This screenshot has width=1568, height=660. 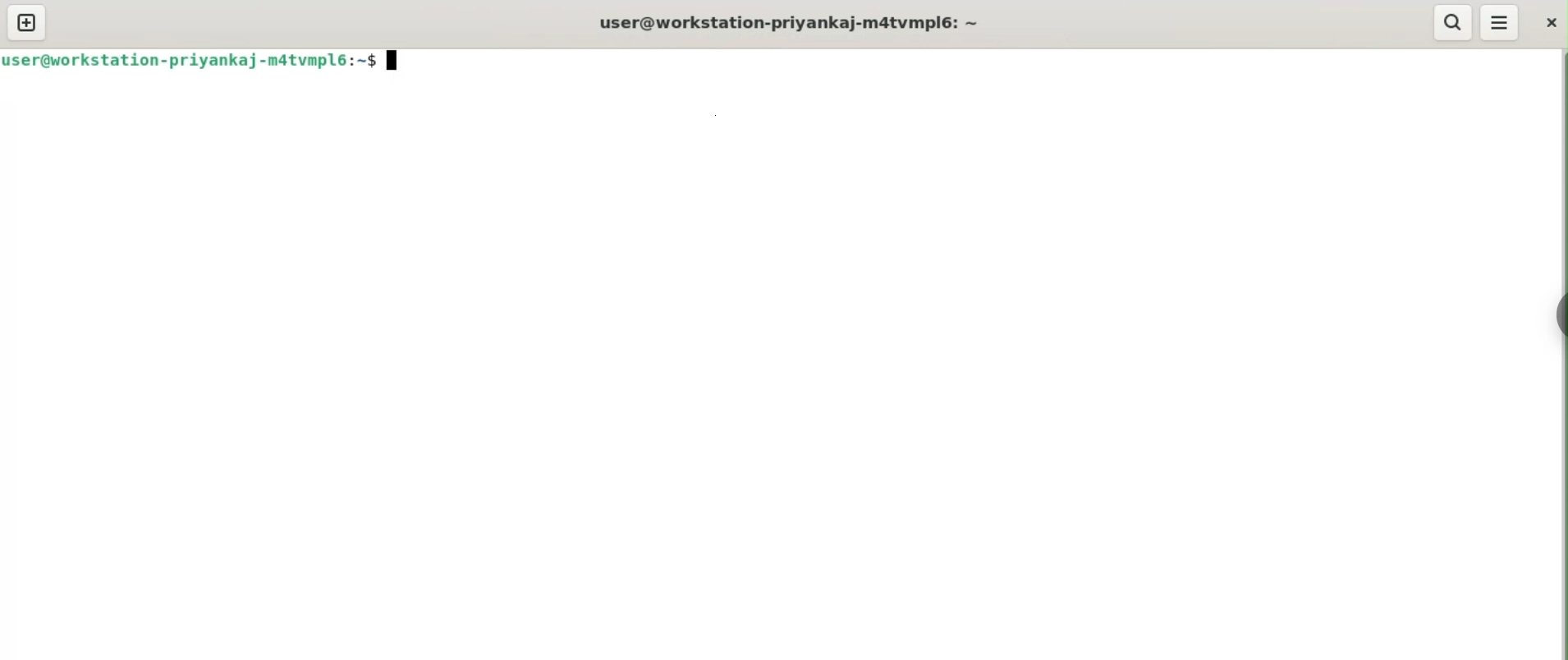 I want to click on sidebar, so click(x=1558, y=316).